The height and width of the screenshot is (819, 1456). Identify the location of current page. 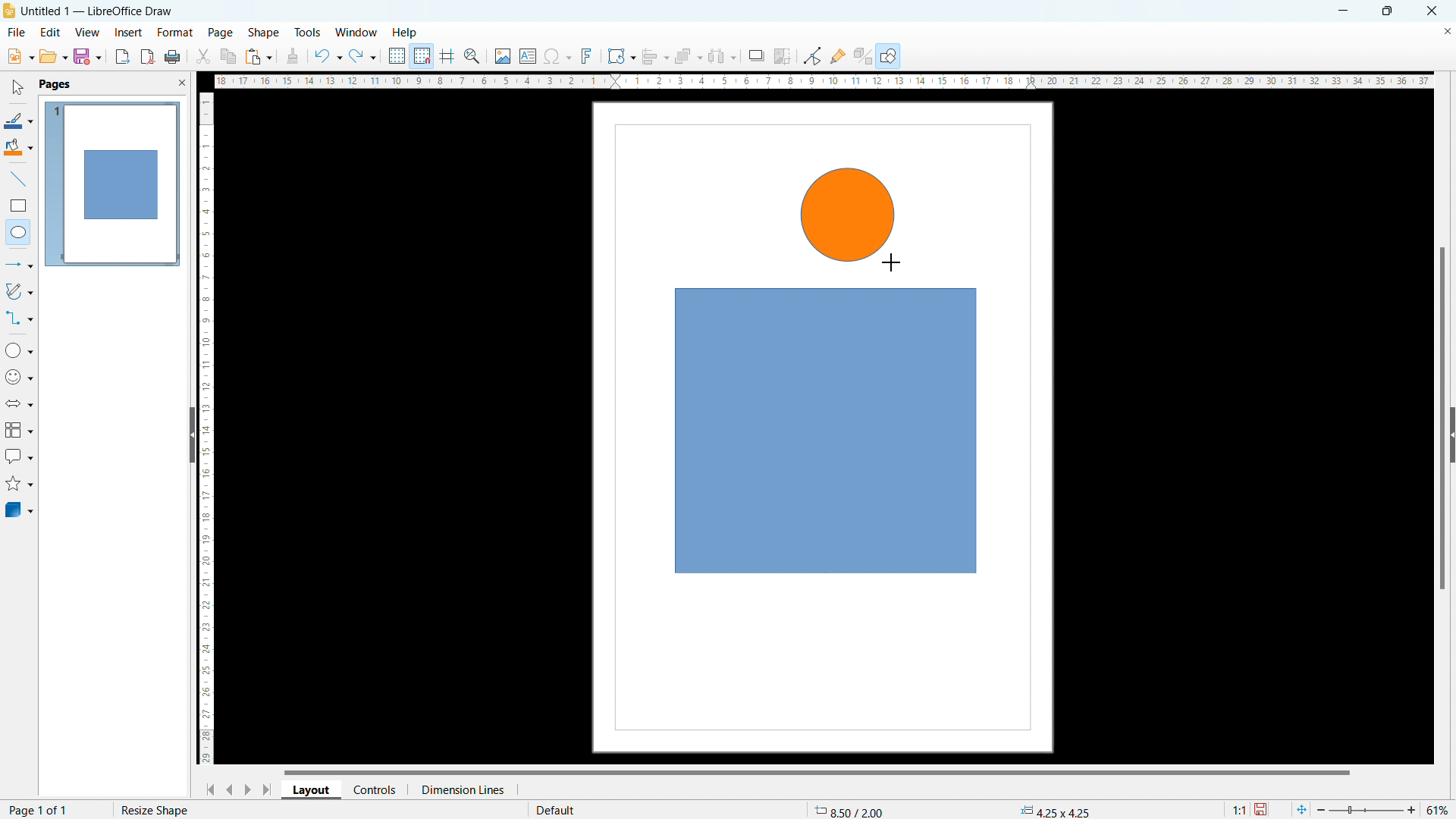
(39, 809).